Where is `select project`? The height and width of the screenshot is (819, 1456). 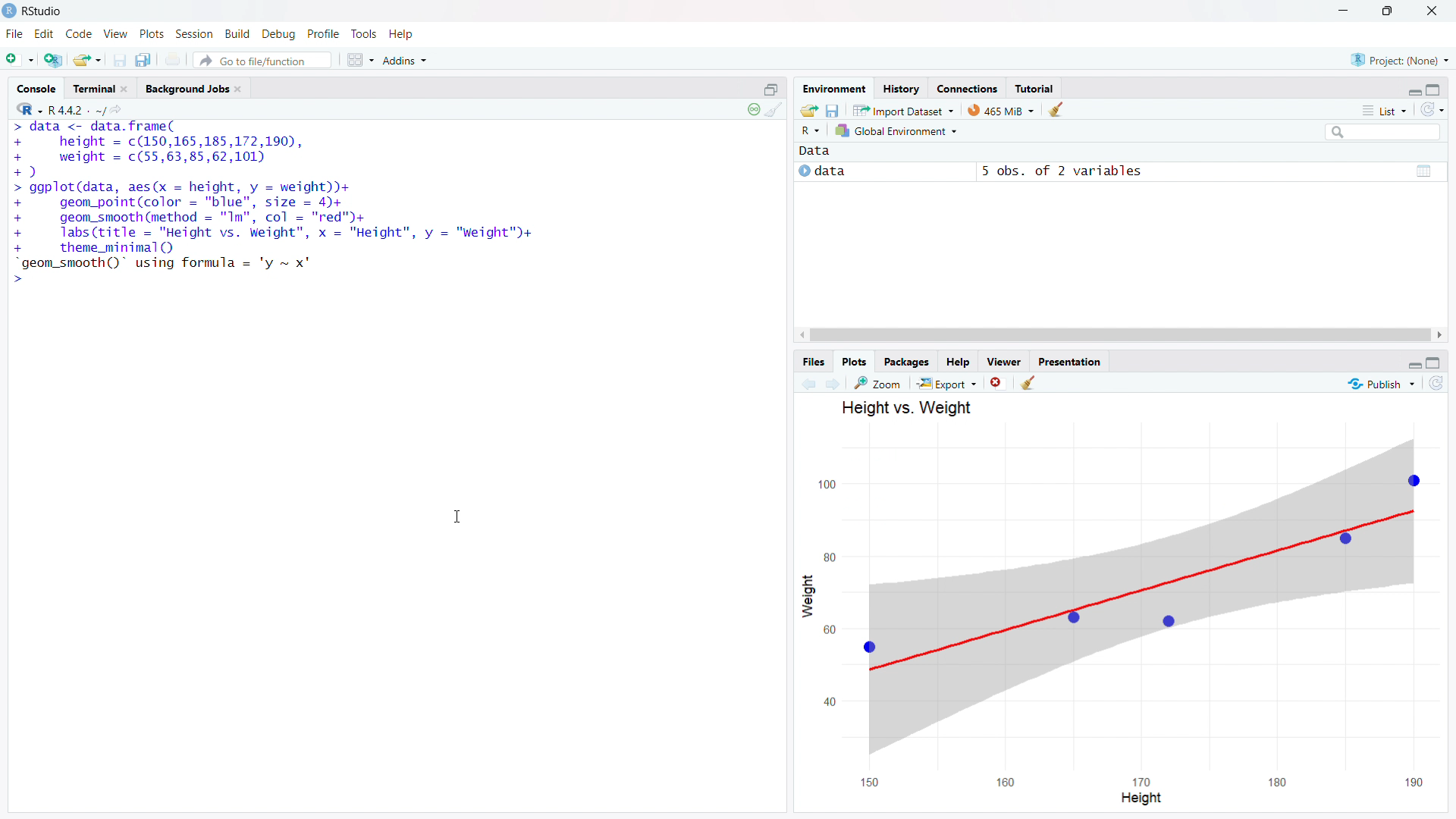 select project is located at coordinates (1400, 60).